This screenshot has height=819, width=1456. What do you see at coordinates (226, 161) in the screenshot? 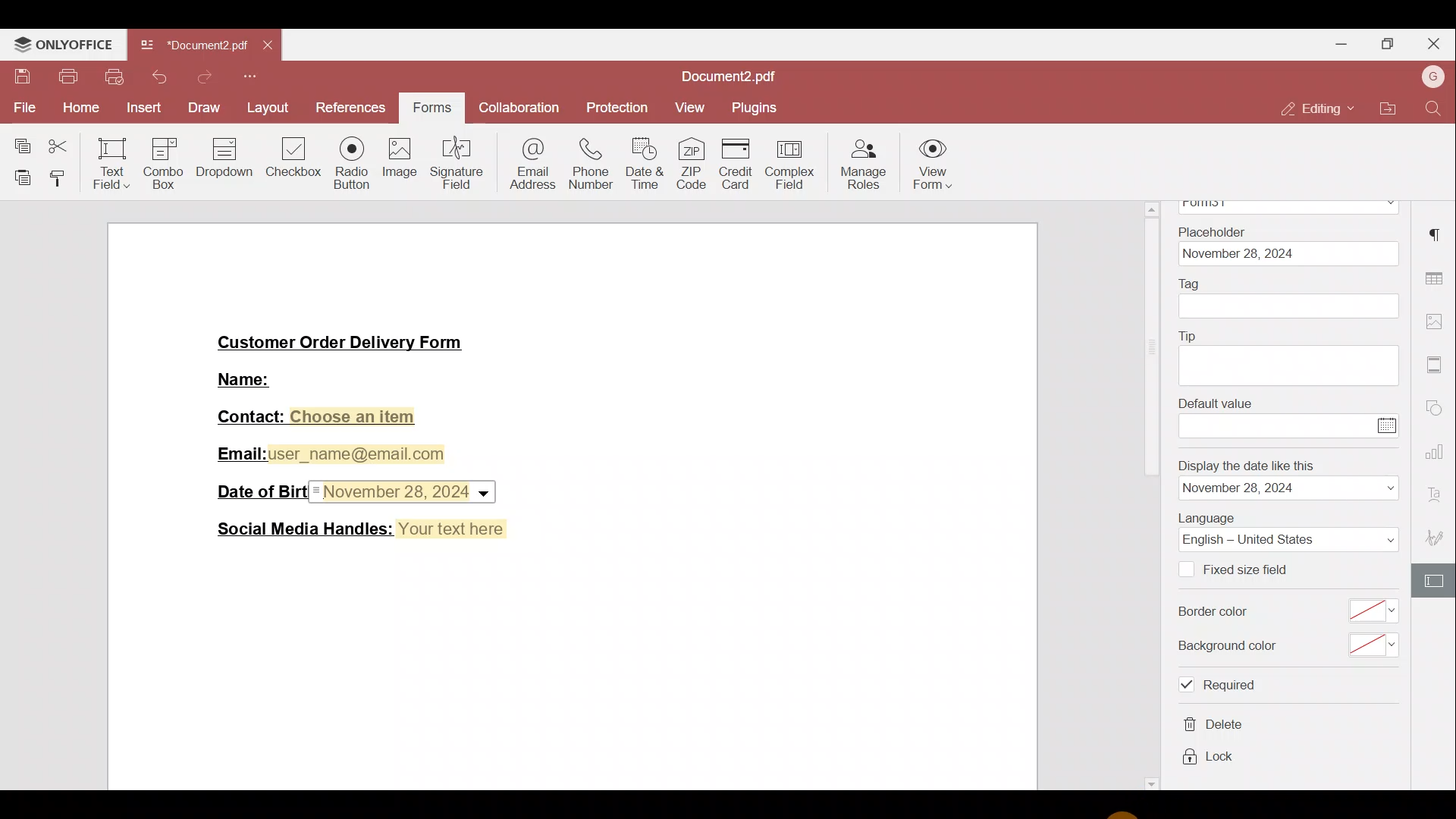
I see `Dropdown` at bounding box center [226, 161].